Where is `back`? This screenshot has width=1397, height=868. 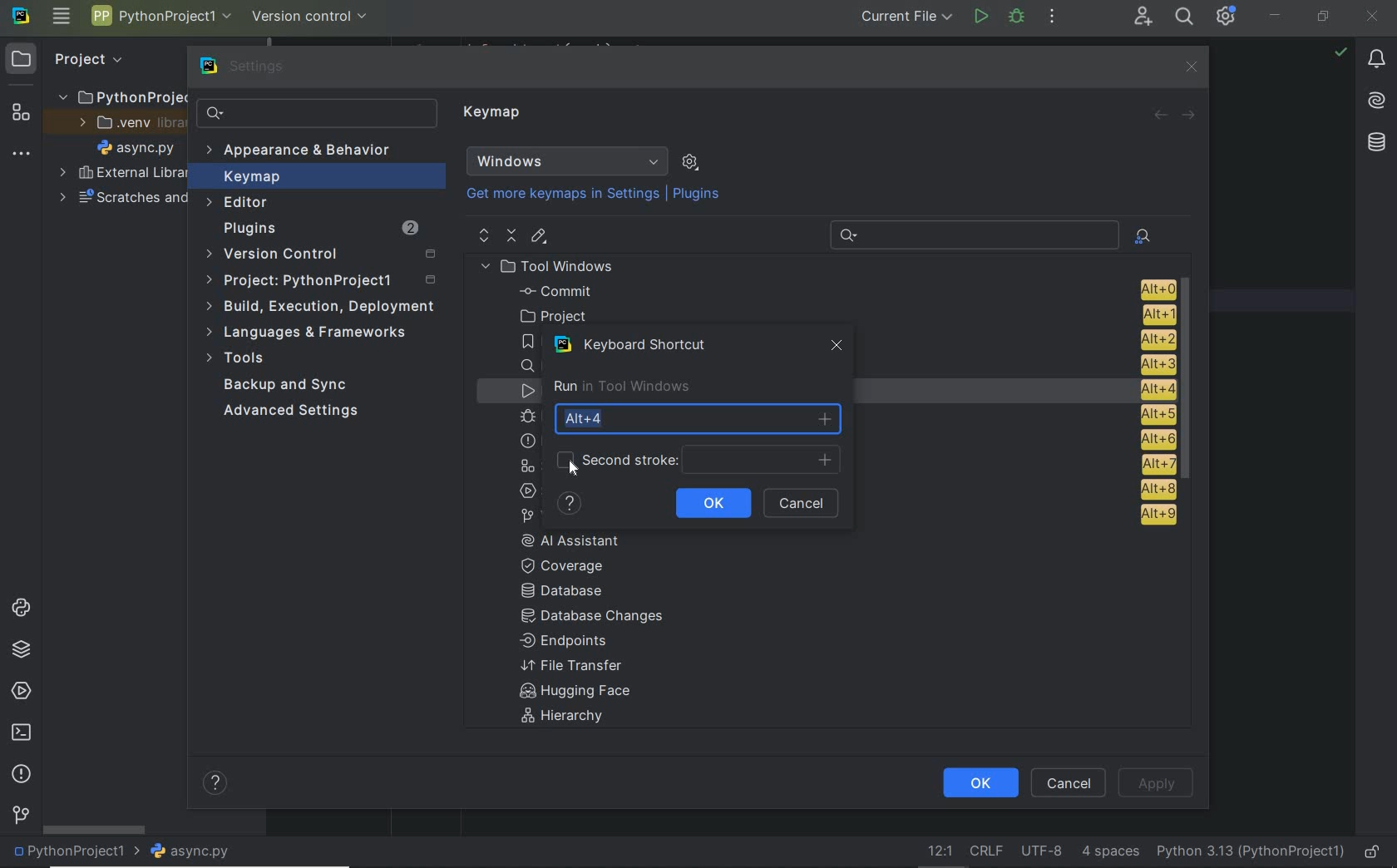
back is located at coordinates (1161, 116).